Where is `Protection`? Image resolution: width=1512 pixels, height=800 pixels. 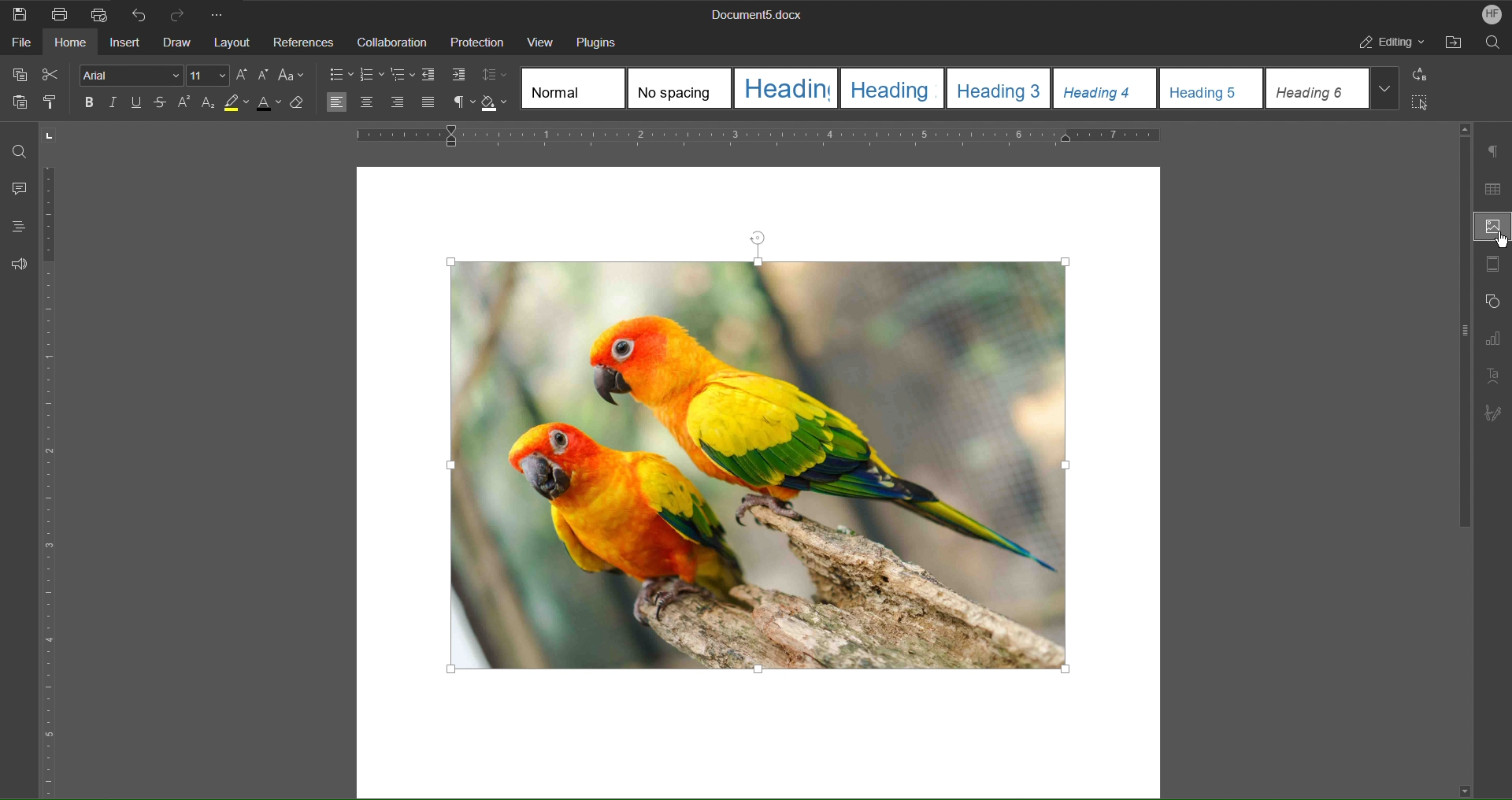 Protection is located at coordinates (477, 43).